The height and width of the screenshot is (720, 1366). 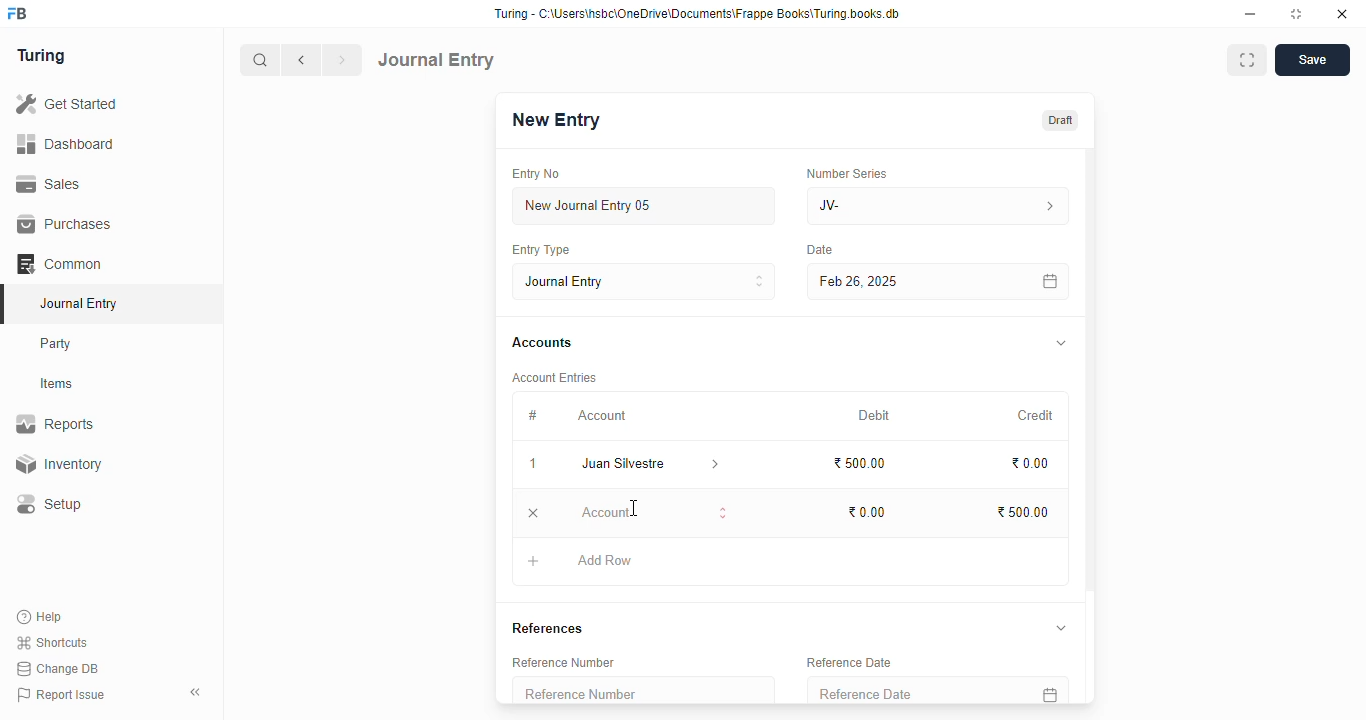 I want to click on toggle between form and full width, so click(x=1246, y=60).